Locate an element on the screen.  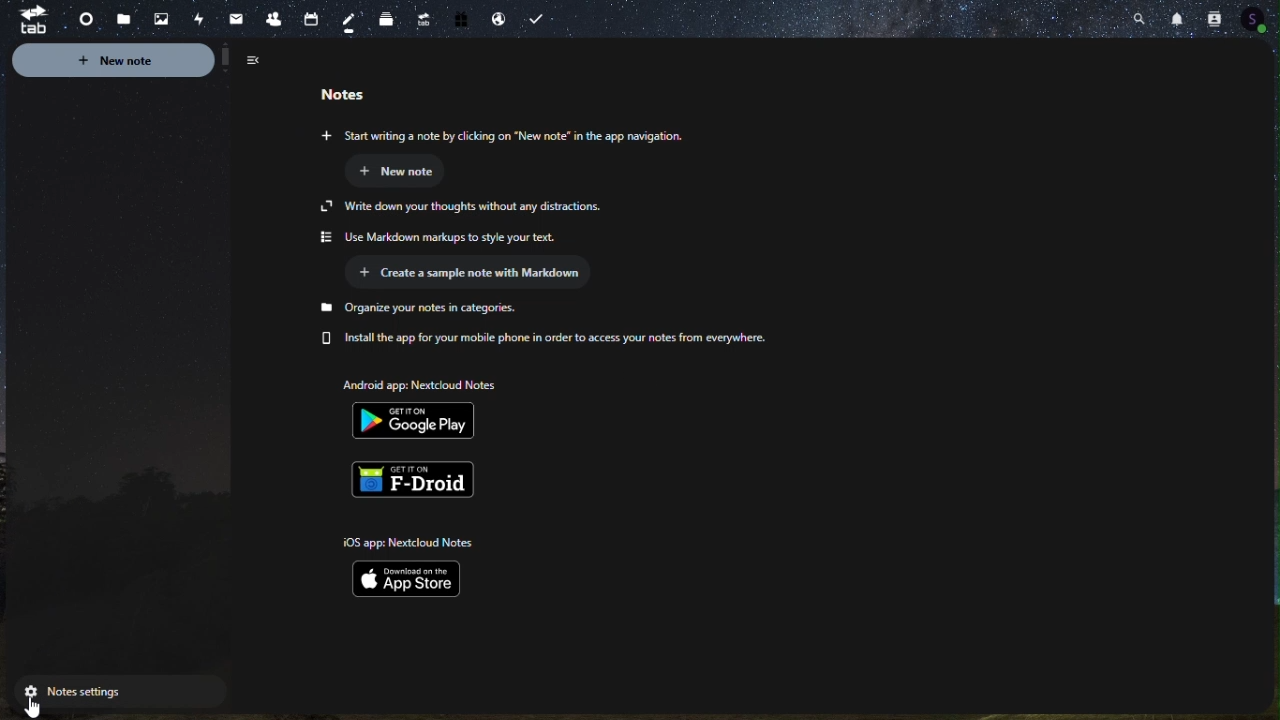
New note is located at coordinates (405, 173).